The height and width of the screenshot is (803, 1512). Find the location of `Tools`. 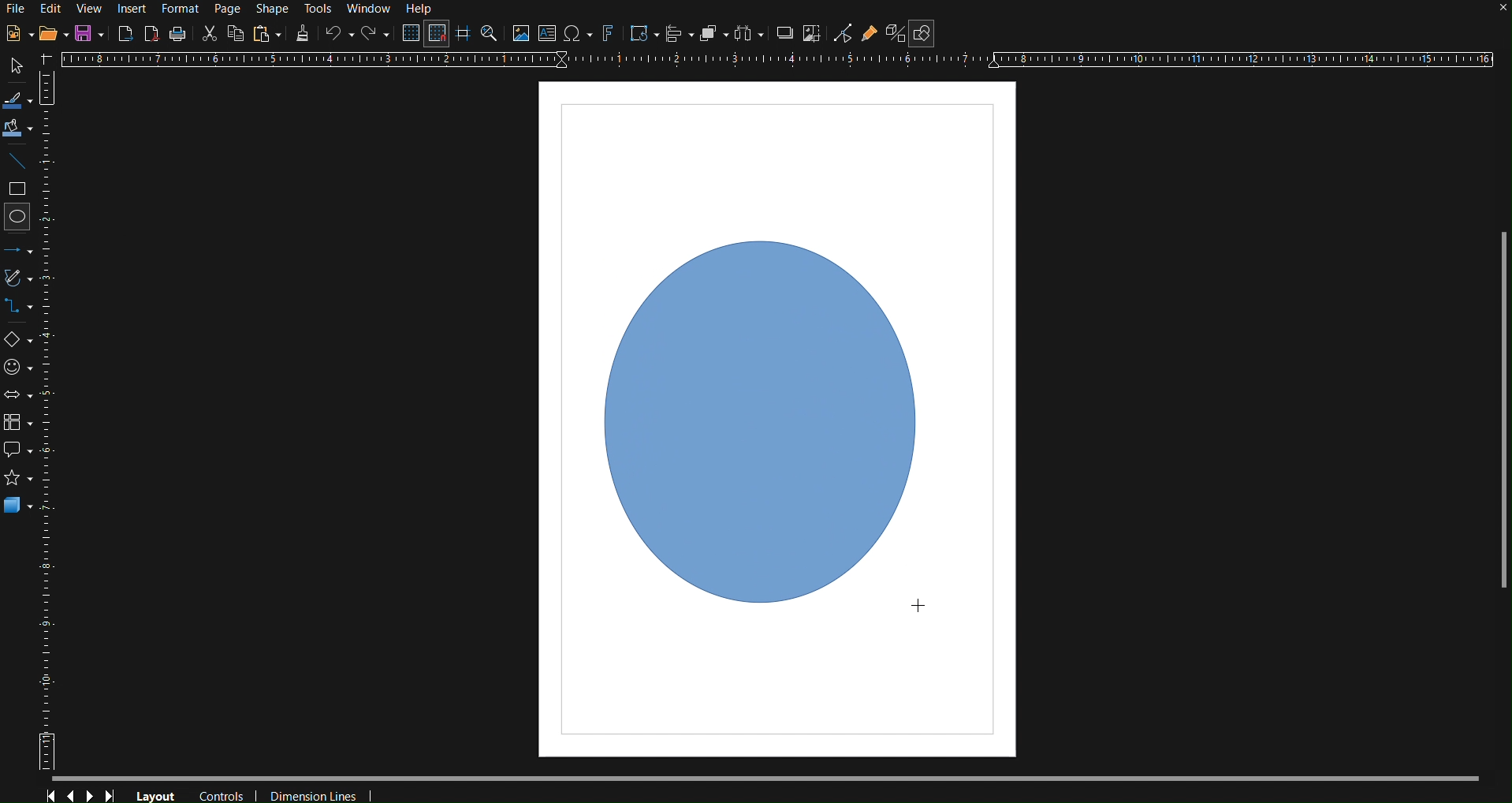

Tools is located at coordinates (319, 9).